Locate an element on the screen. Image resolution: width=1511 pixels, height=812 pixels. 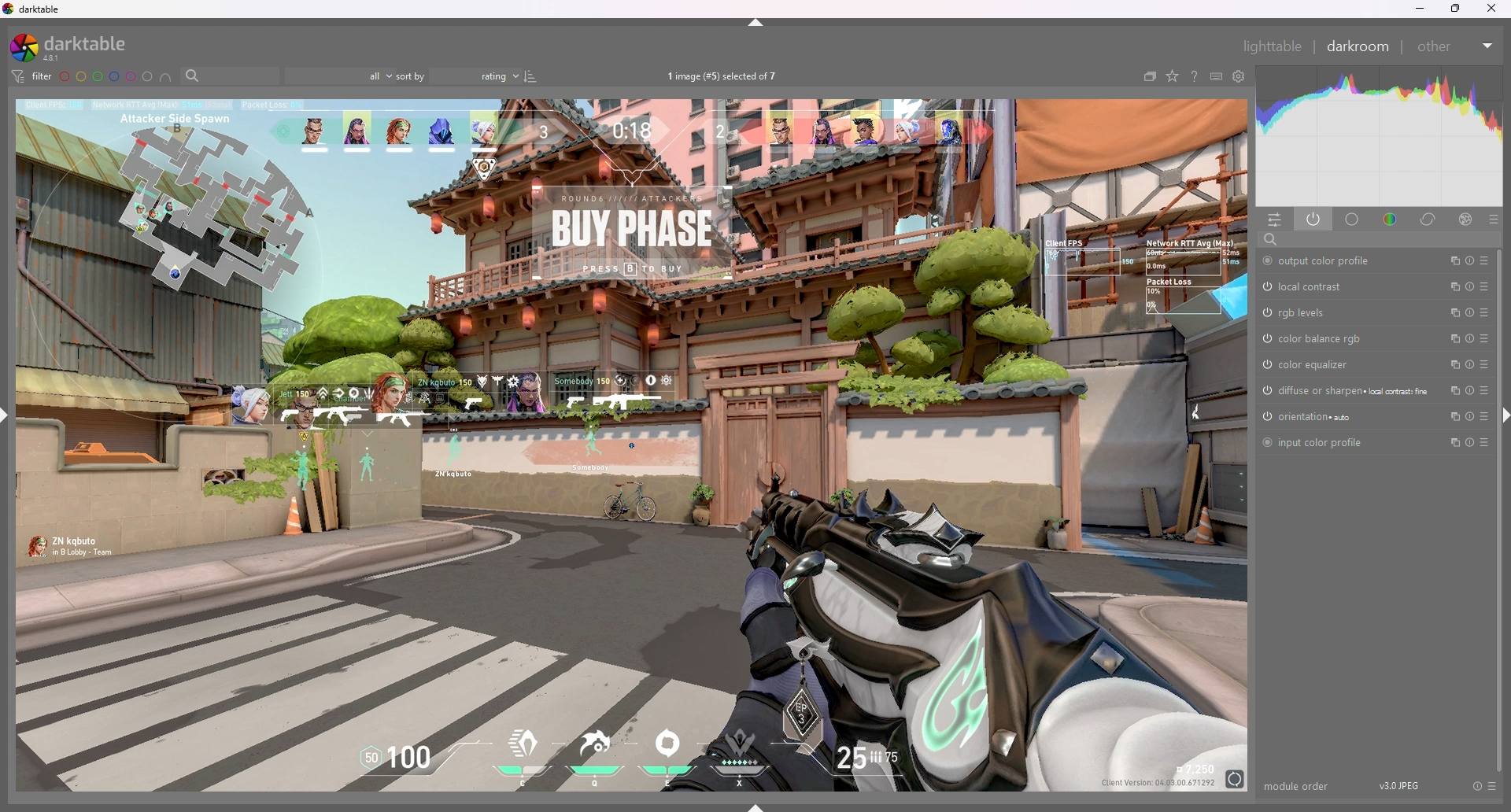
reset is located at coordinates (1469, 260).